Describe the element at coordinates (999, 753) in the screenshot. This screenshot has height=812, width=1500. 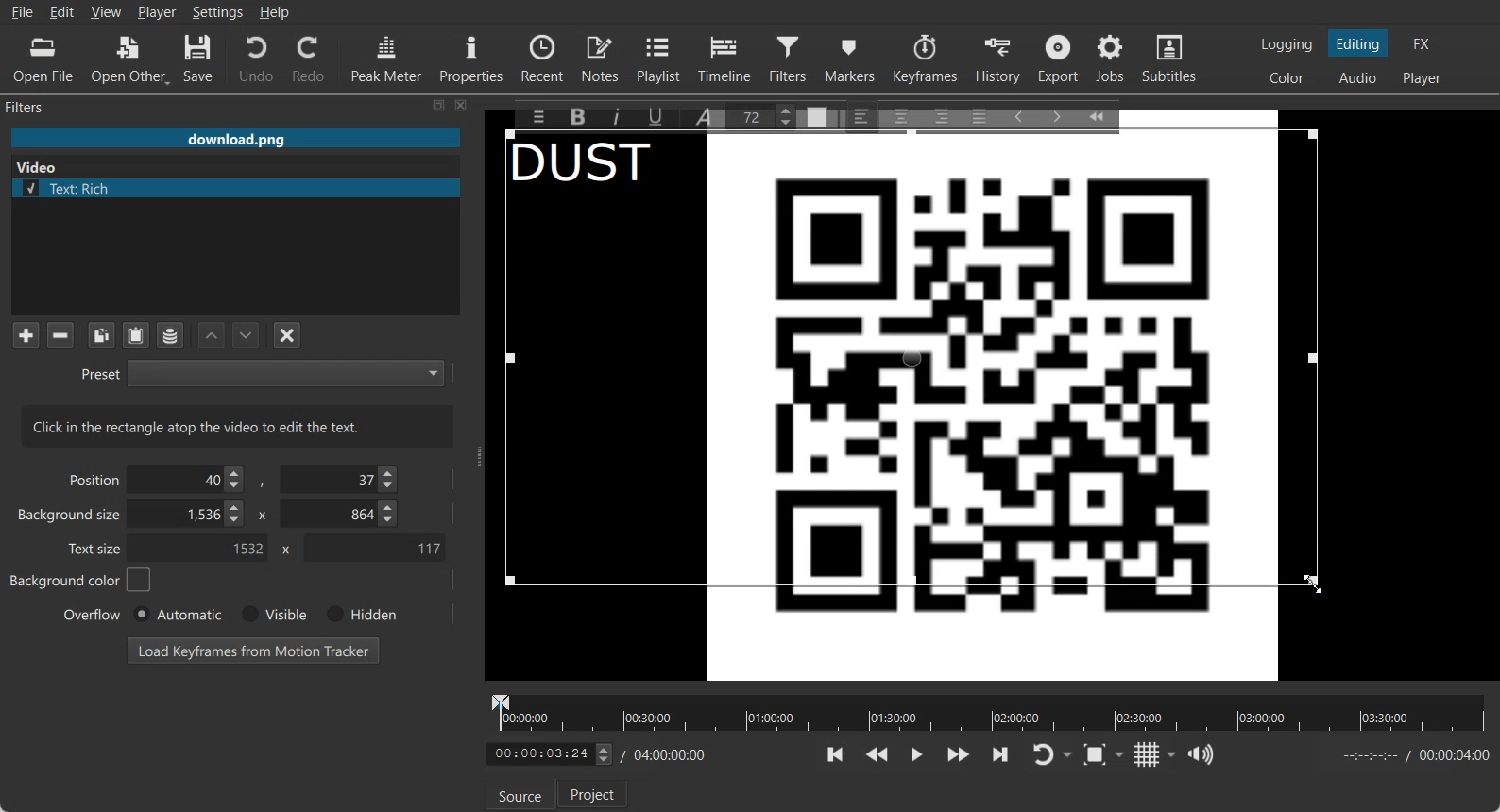
I see `Skip to the next point` at that location.